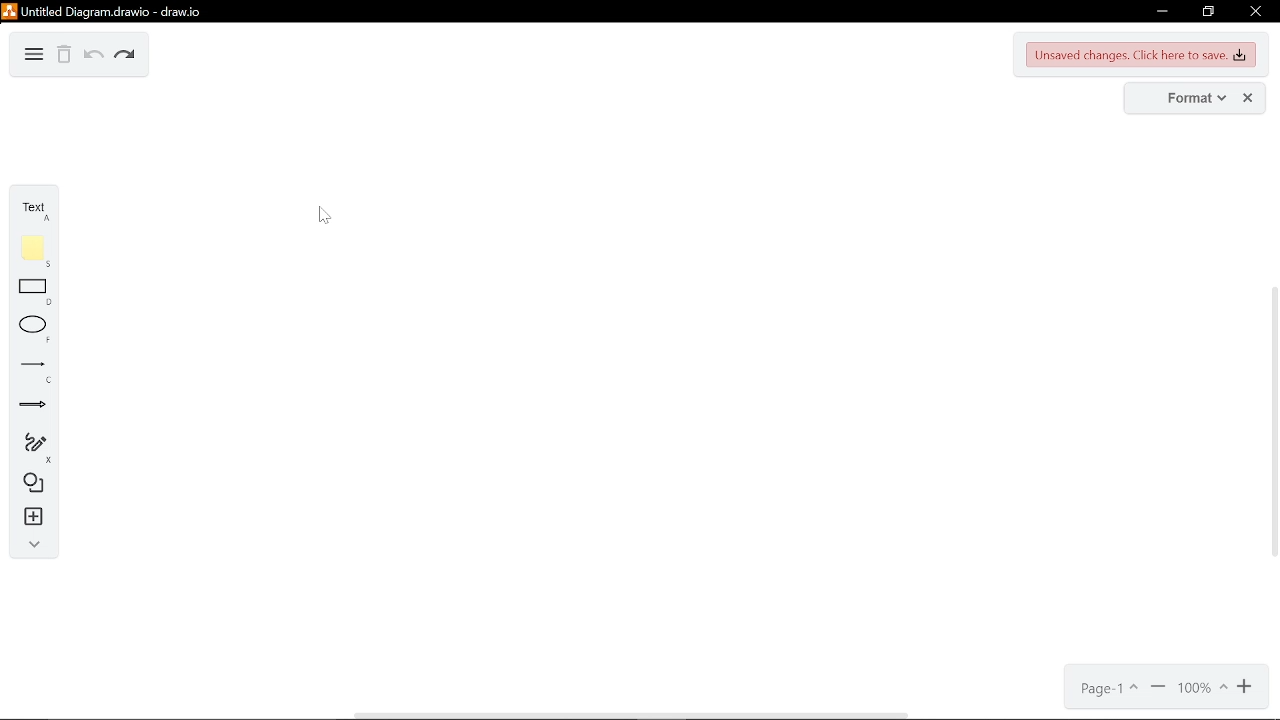  Describe the element at coordinates (1160, 12) in the screenshot. I see `minimize` at that location.